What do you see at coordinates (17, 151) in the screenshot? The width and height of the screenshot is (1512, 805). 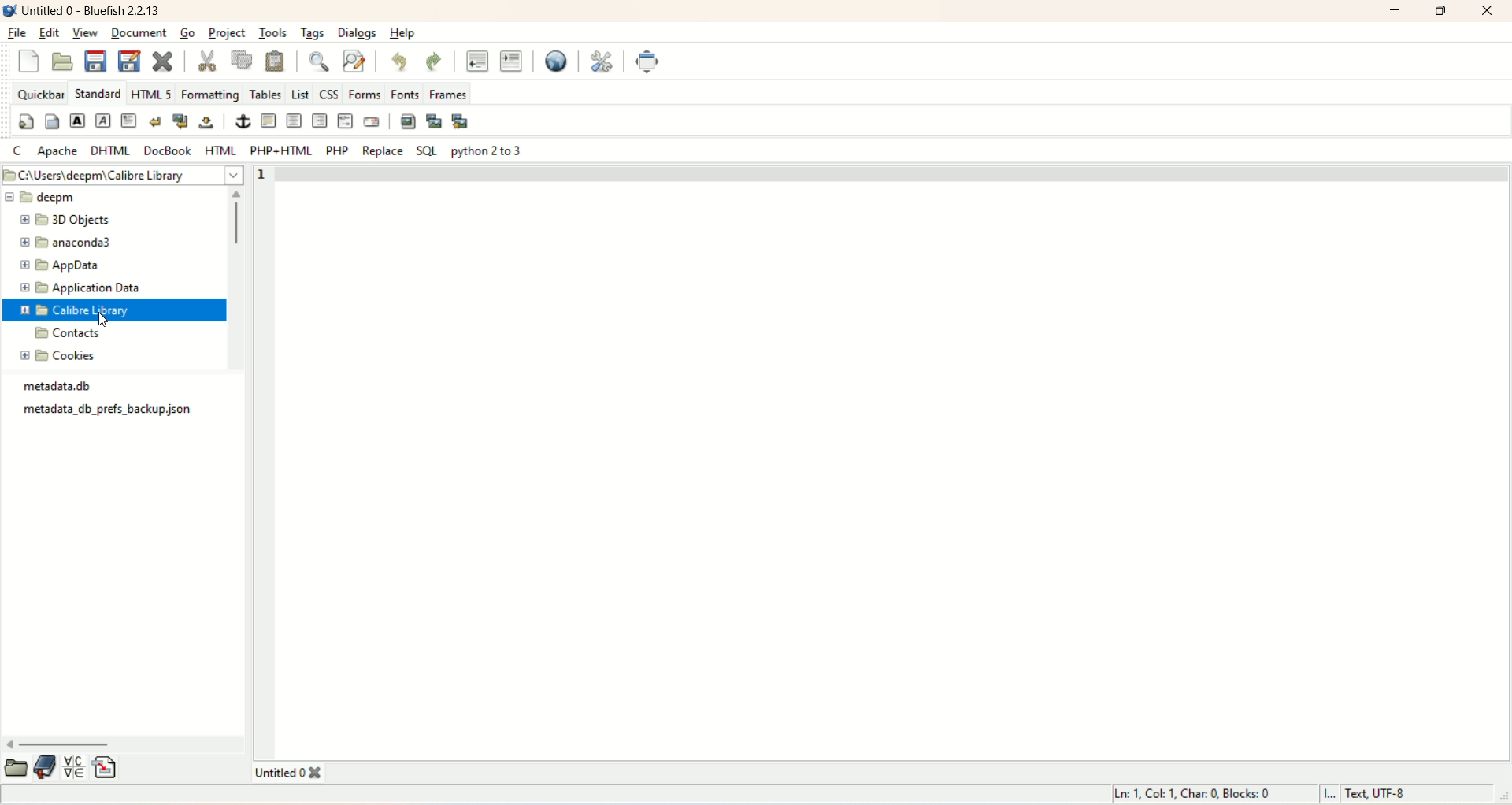 I see `C` at bounding box center [17, 151].